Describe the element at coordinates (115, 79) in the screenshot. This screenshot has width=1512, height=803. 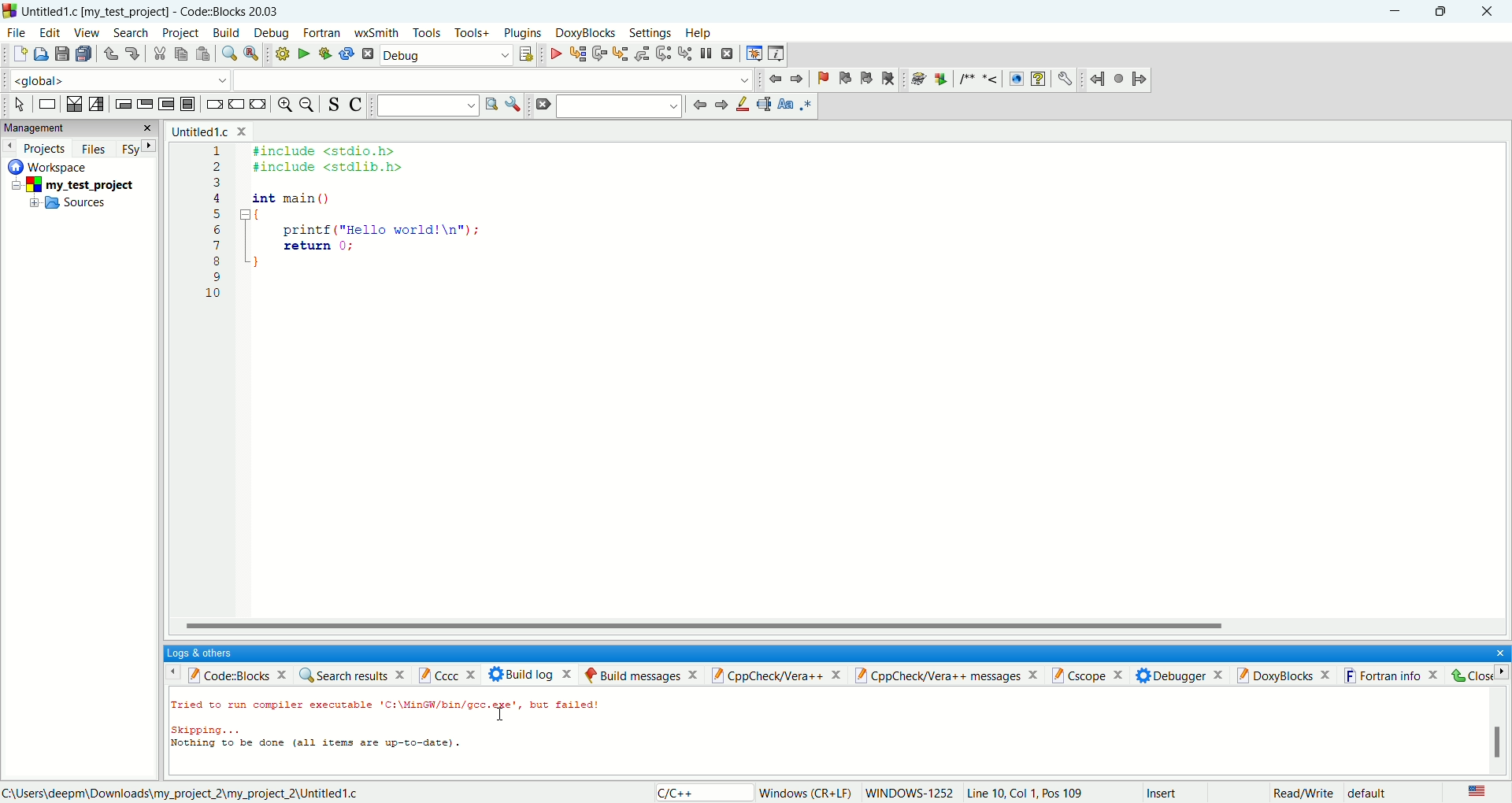
I see `global` at that location.